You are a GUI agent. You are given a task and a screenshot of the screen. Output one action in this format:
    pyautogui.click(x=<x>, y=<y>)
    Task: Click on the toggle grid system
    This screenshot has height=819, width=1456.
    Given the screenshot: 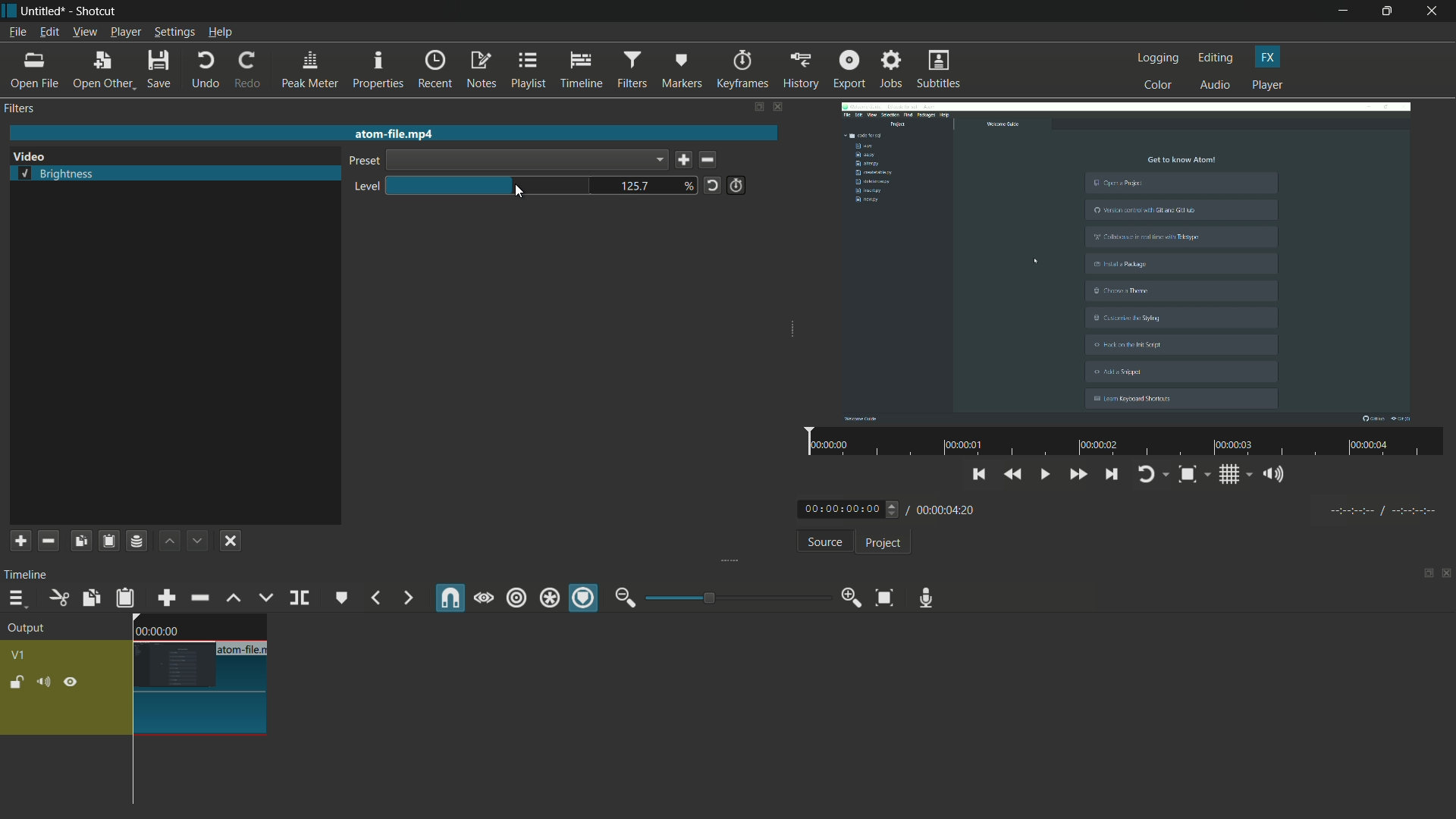 What is the action you would take?
    pyautogui.click(x=1237, y=477)
    